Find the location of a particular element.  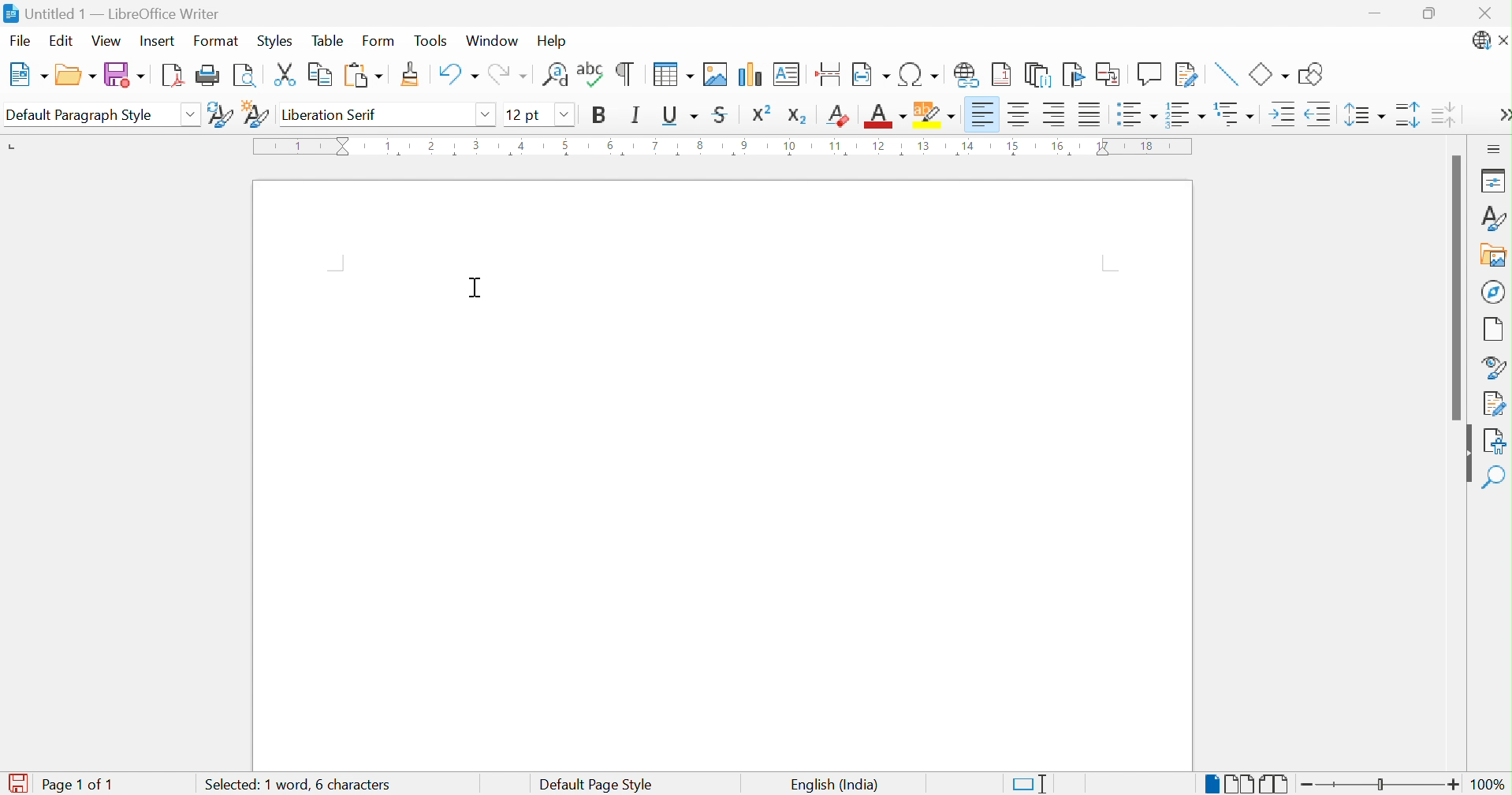

Close is located at coordinates (1488, 12).